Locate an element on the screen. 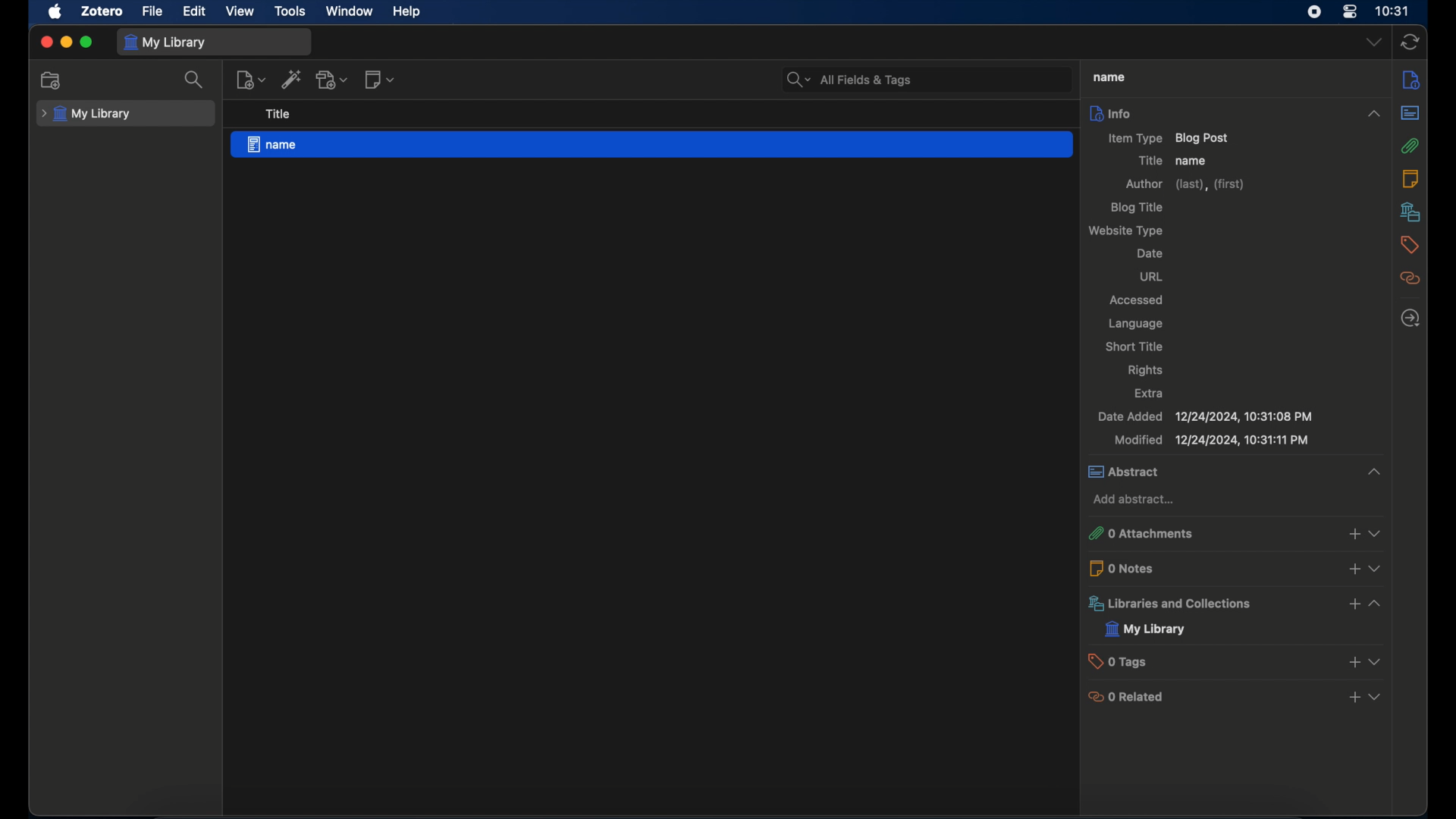  tags is located at coordinates (1410, 244).